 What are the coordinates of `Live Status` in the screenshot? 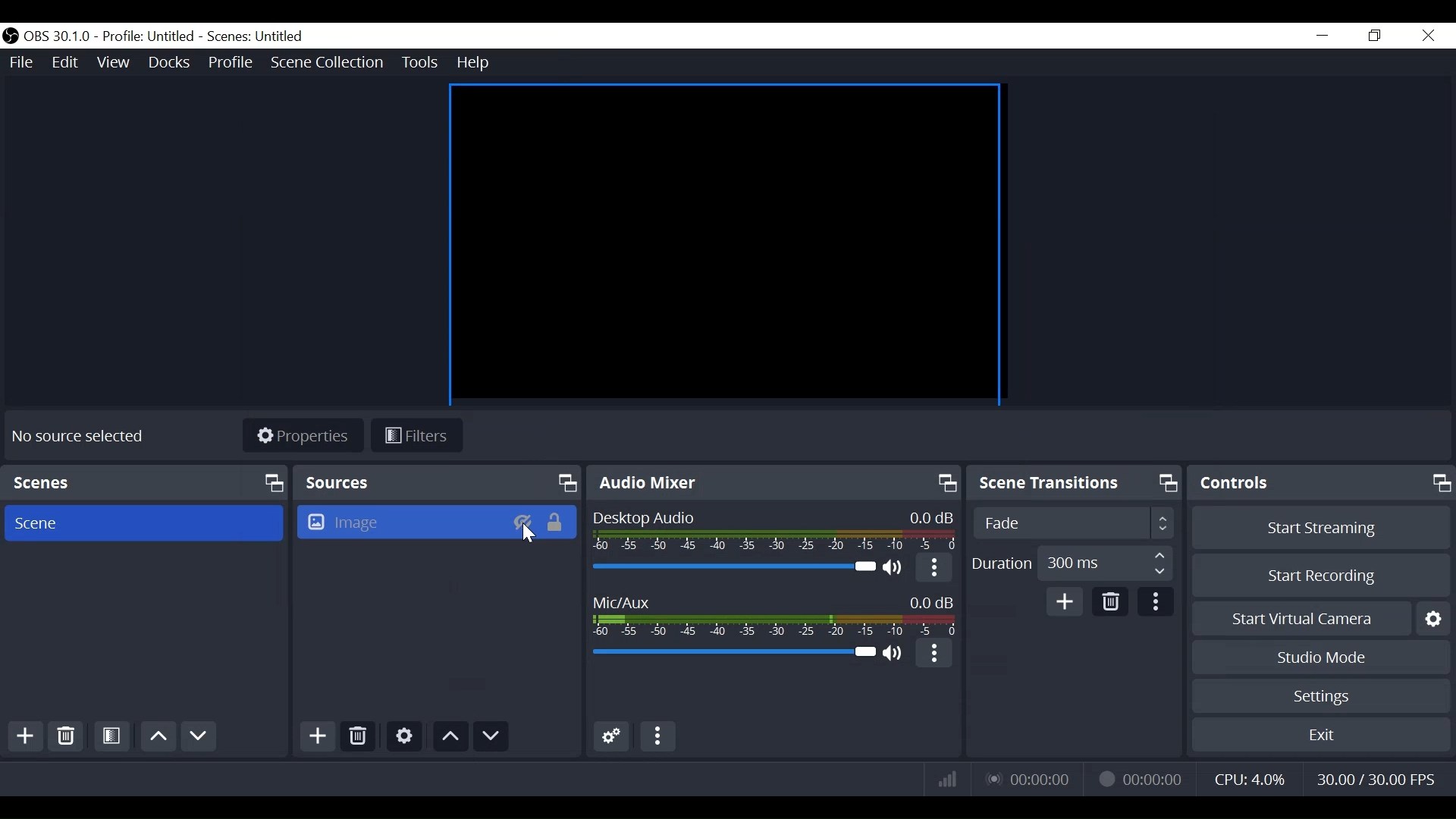 It's located at (1030, 780).